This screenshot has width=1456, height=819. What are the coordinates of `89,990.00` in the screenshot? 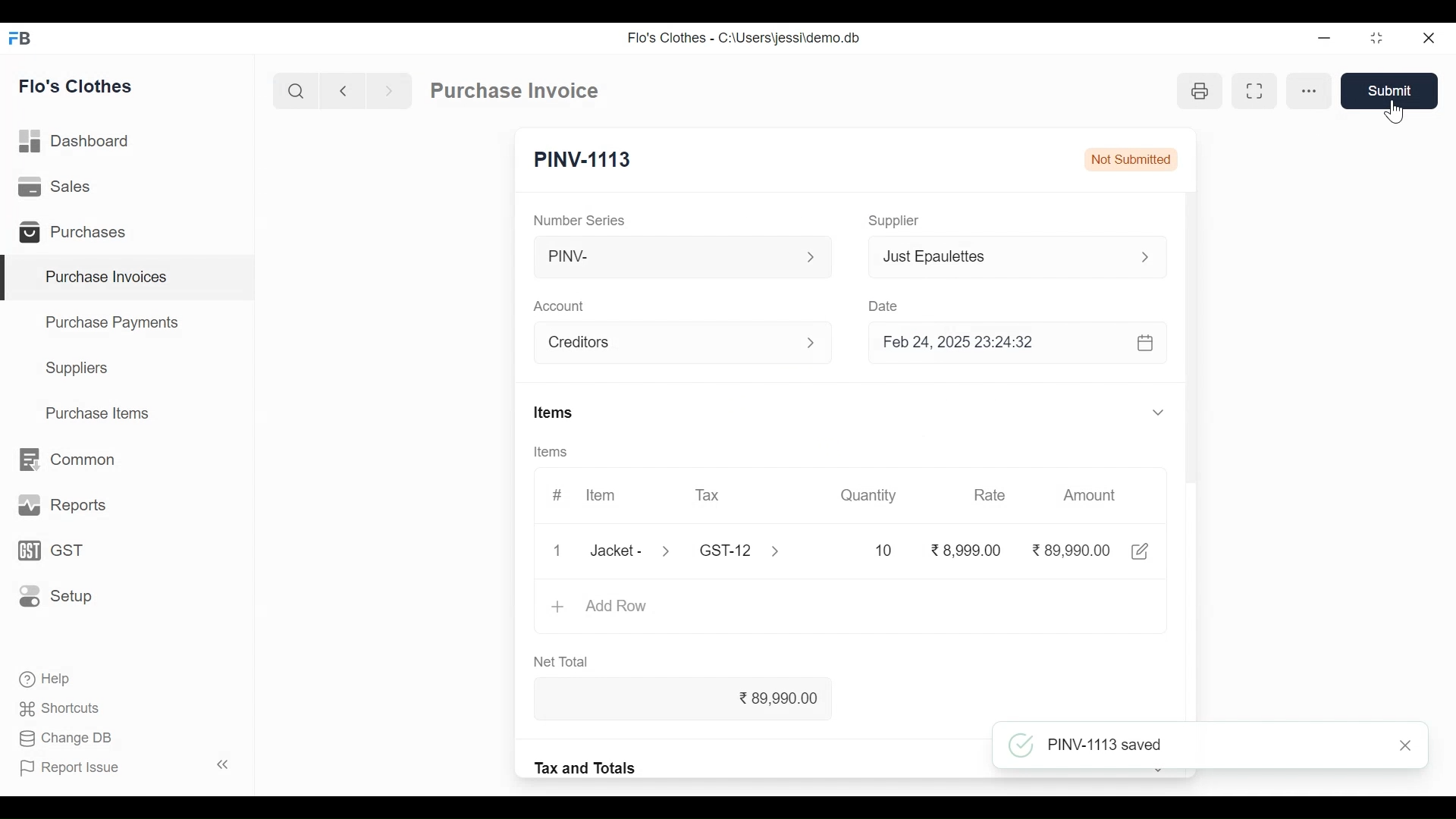 It's located at (1069, 551).